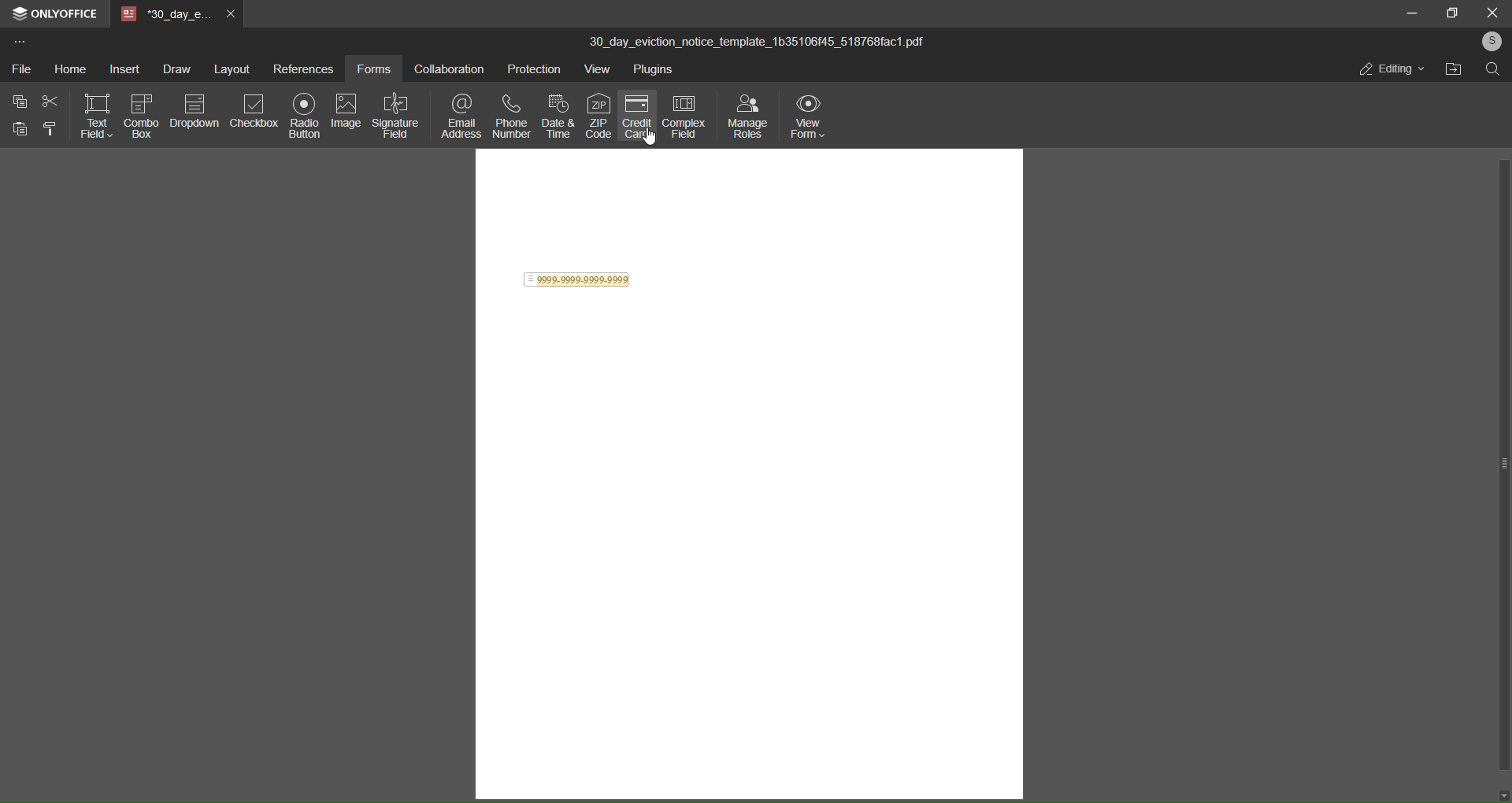 This screenshot has height=803, width=1512. What do you see at coordinates (1490, 12) in the screenshot?
I see `close` at bounding box center [1490, 12].